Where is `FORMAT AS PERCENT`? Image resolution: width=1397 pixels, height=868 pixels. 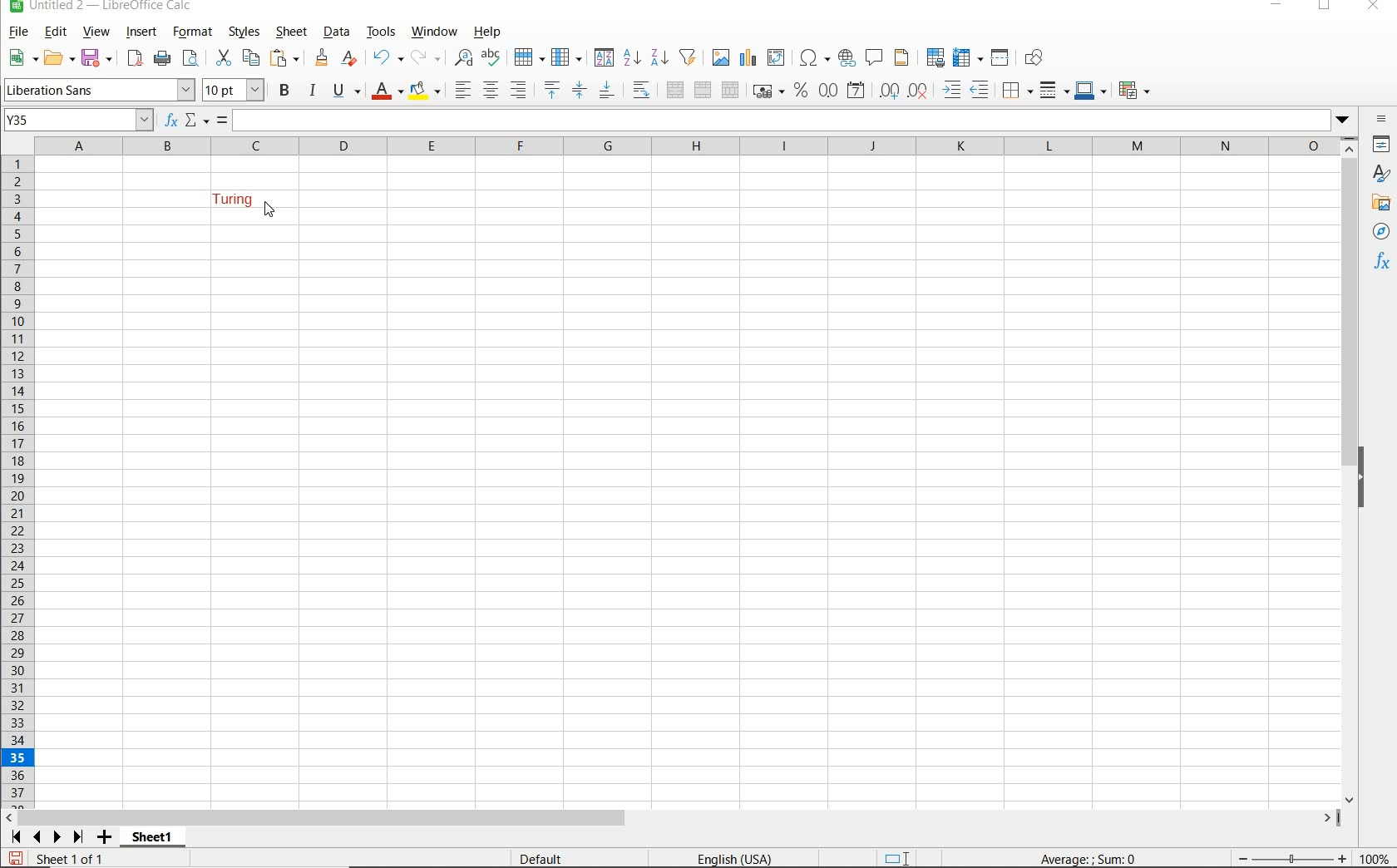 FORMAT AS PERCENT is located at coordinates (801, 91).